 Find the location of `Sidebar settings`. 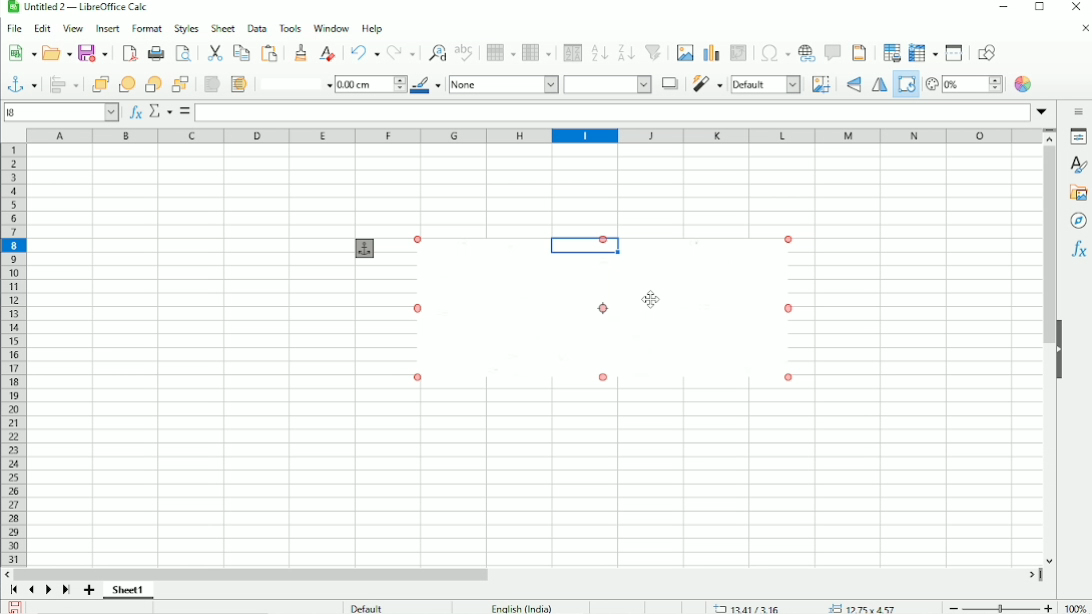

Sidebar settings is located at coordinates (1076, 111).